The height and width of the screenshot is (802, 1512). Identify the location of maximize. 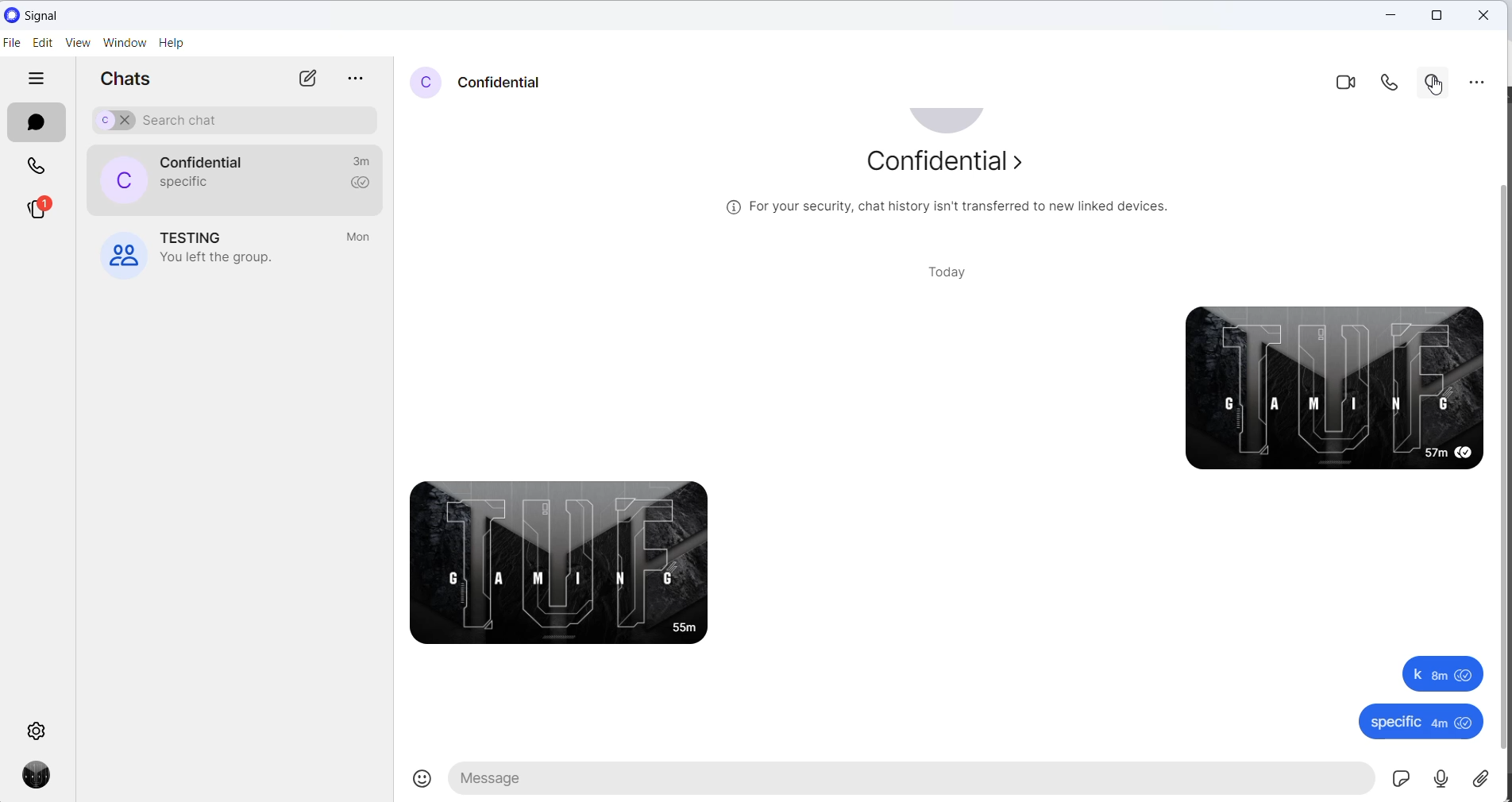
(1439, 16).